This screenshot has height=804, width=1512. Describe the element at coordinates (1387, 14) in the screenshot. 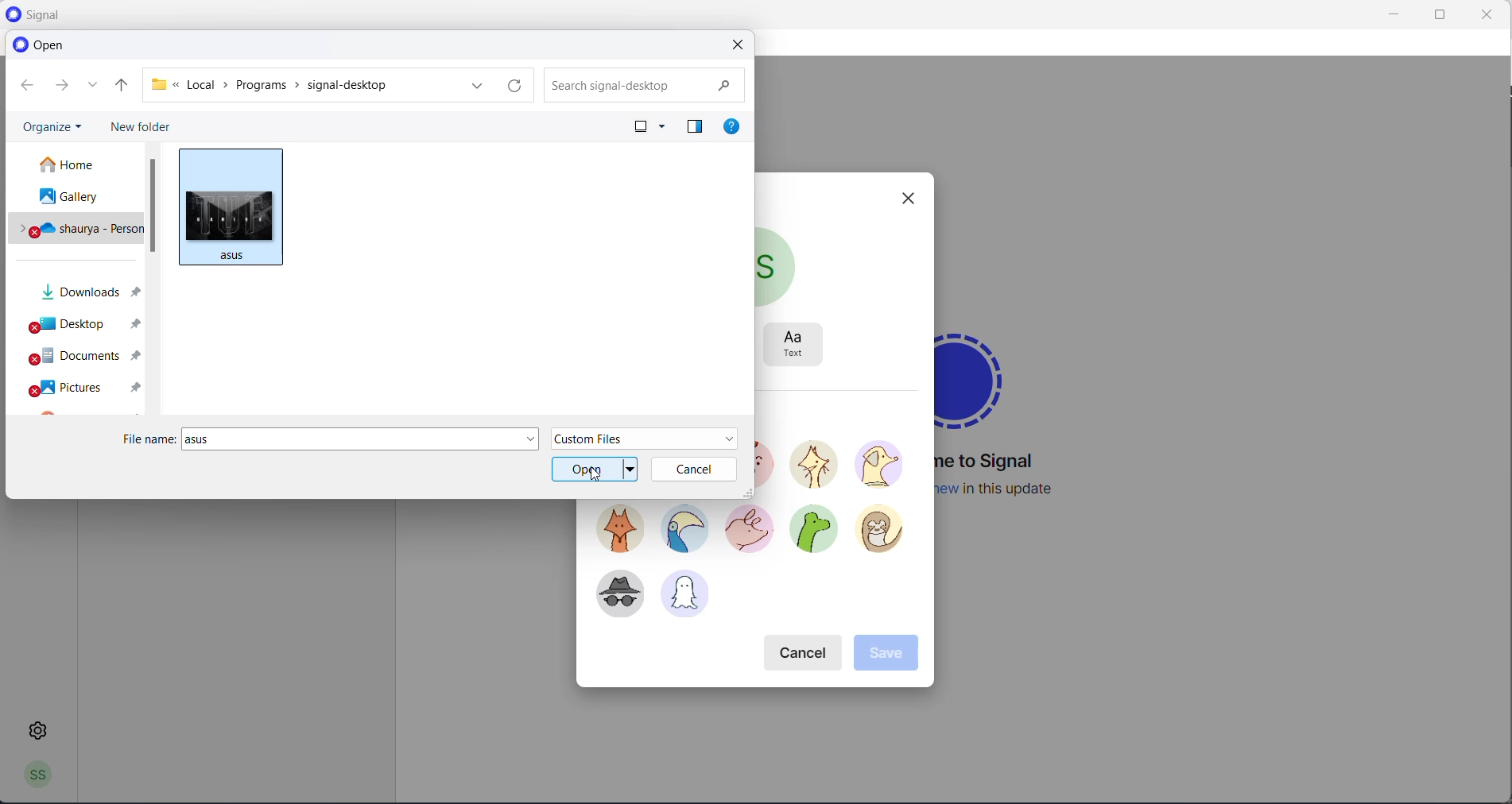

I see `minimize` at that location.